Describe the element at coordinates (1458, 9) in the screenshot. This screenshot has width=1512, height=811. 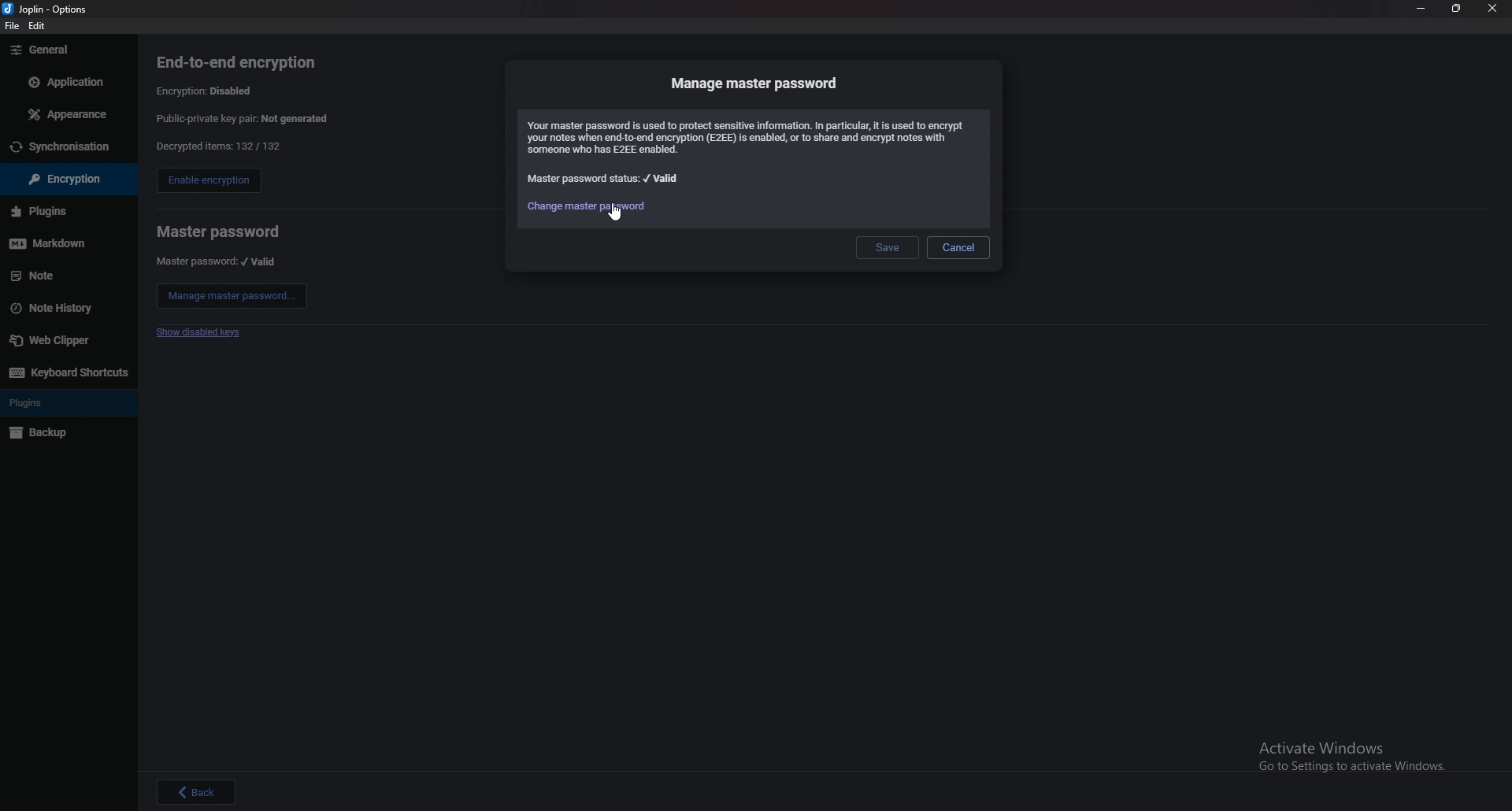
I see `resize` at that location.